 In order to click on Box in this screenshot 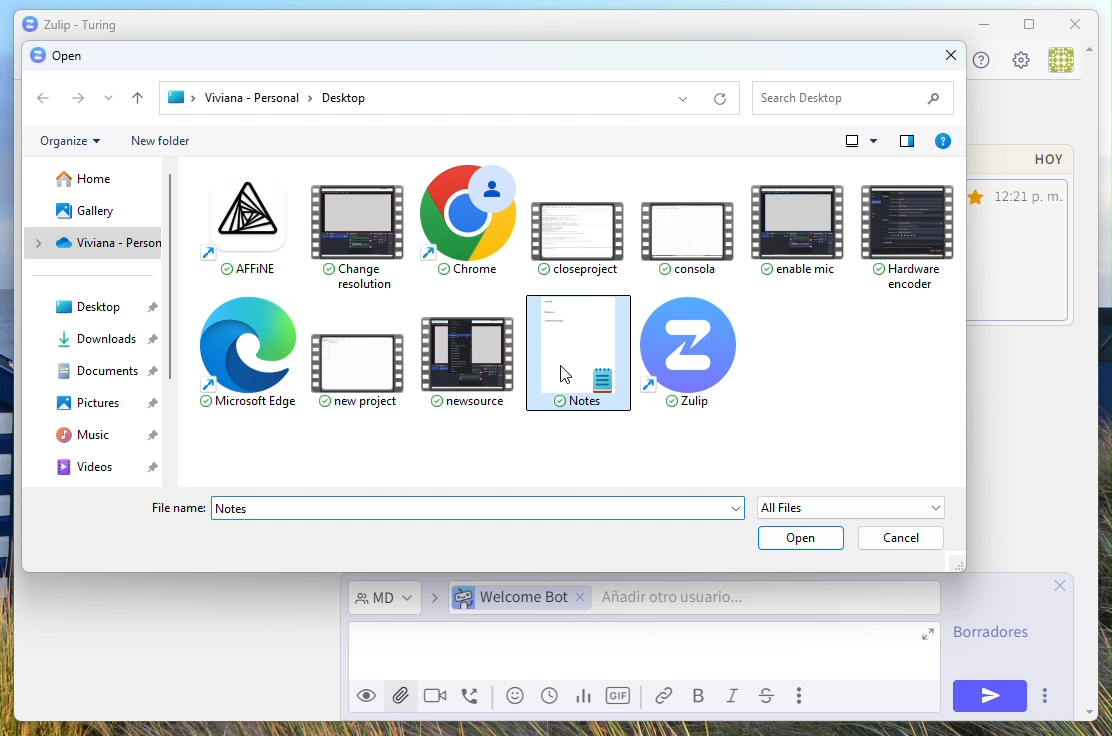, I will do `click(1028, 26)`.